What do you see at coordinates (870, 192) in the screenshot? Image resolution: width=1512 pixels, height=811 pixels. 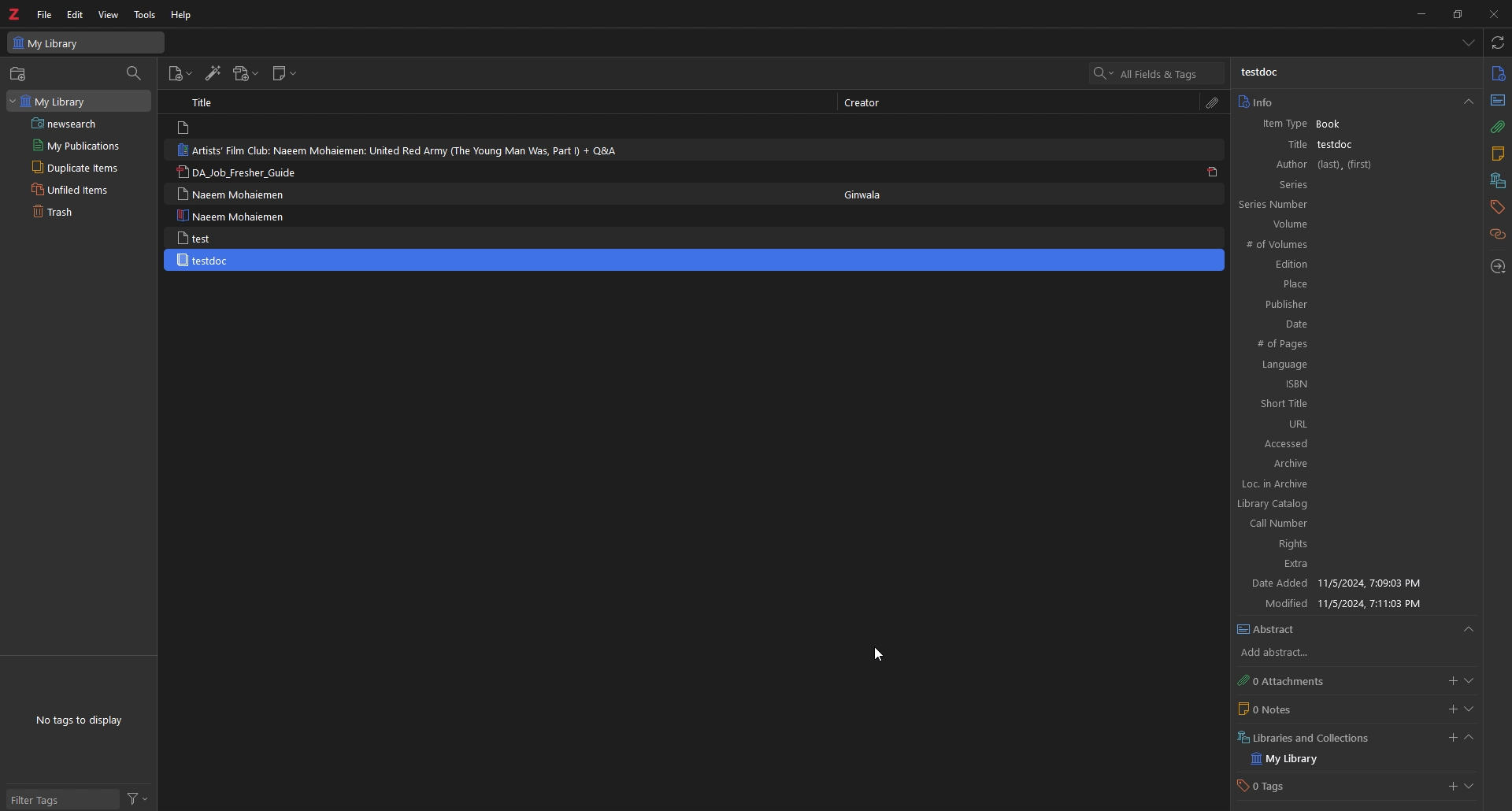 I see `Ginwala` at bounding box center [870, 192].